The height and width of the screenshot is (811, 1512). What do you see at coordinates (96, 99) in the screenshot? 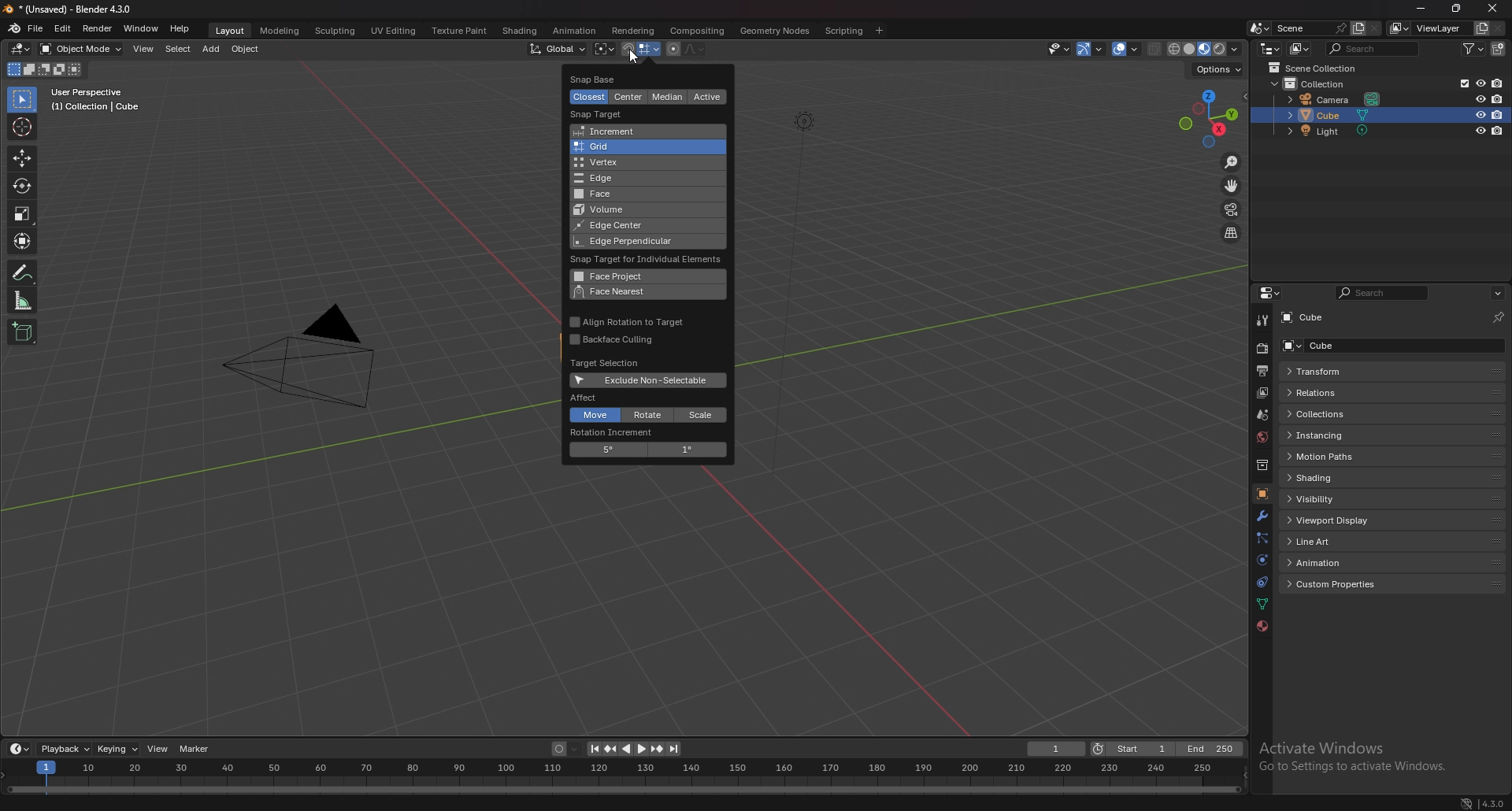
I see `info` at bounding box center [96, 99].